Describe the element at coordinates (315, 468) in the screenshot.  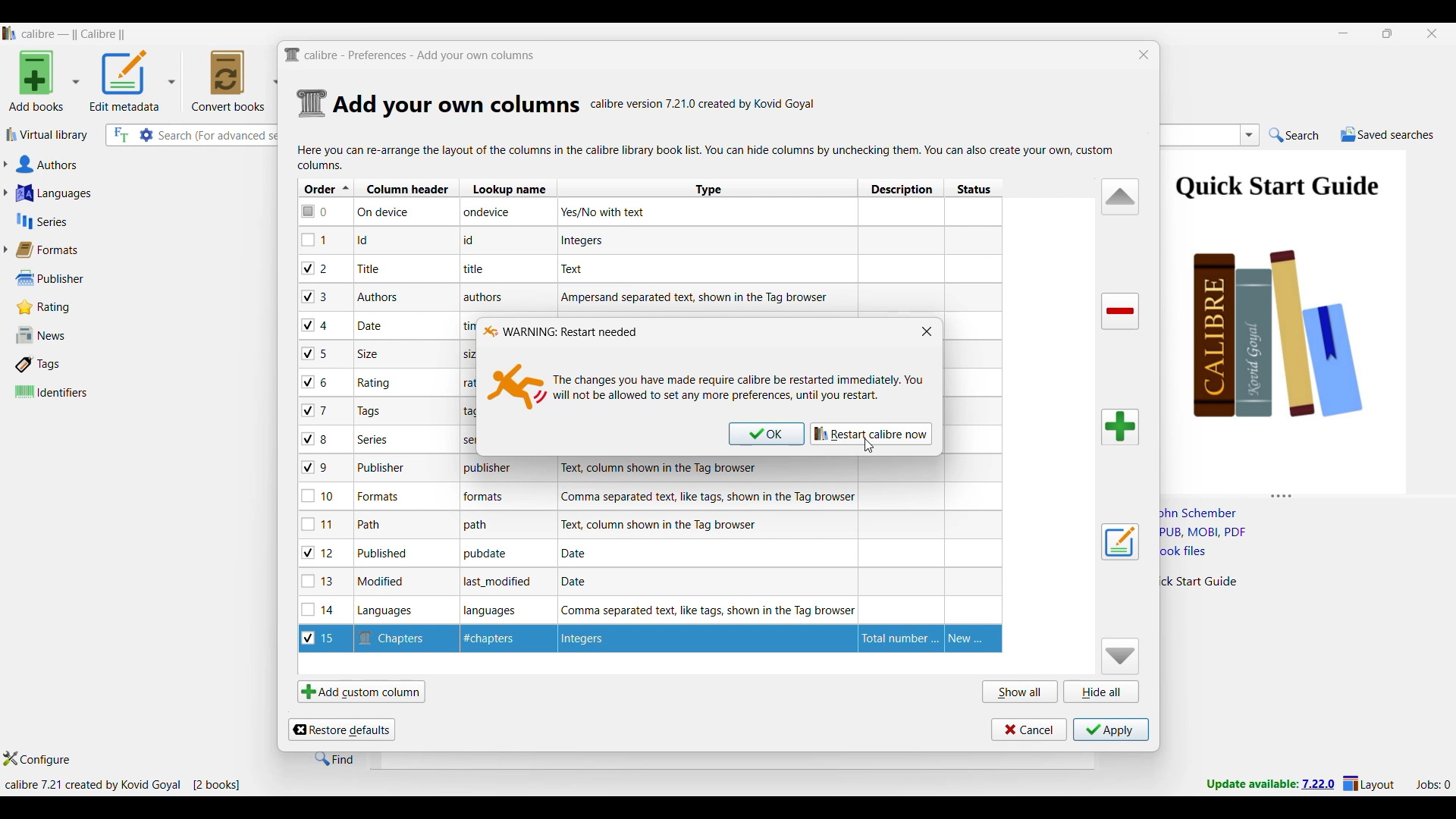
I see `checkbox - 9` at that location.